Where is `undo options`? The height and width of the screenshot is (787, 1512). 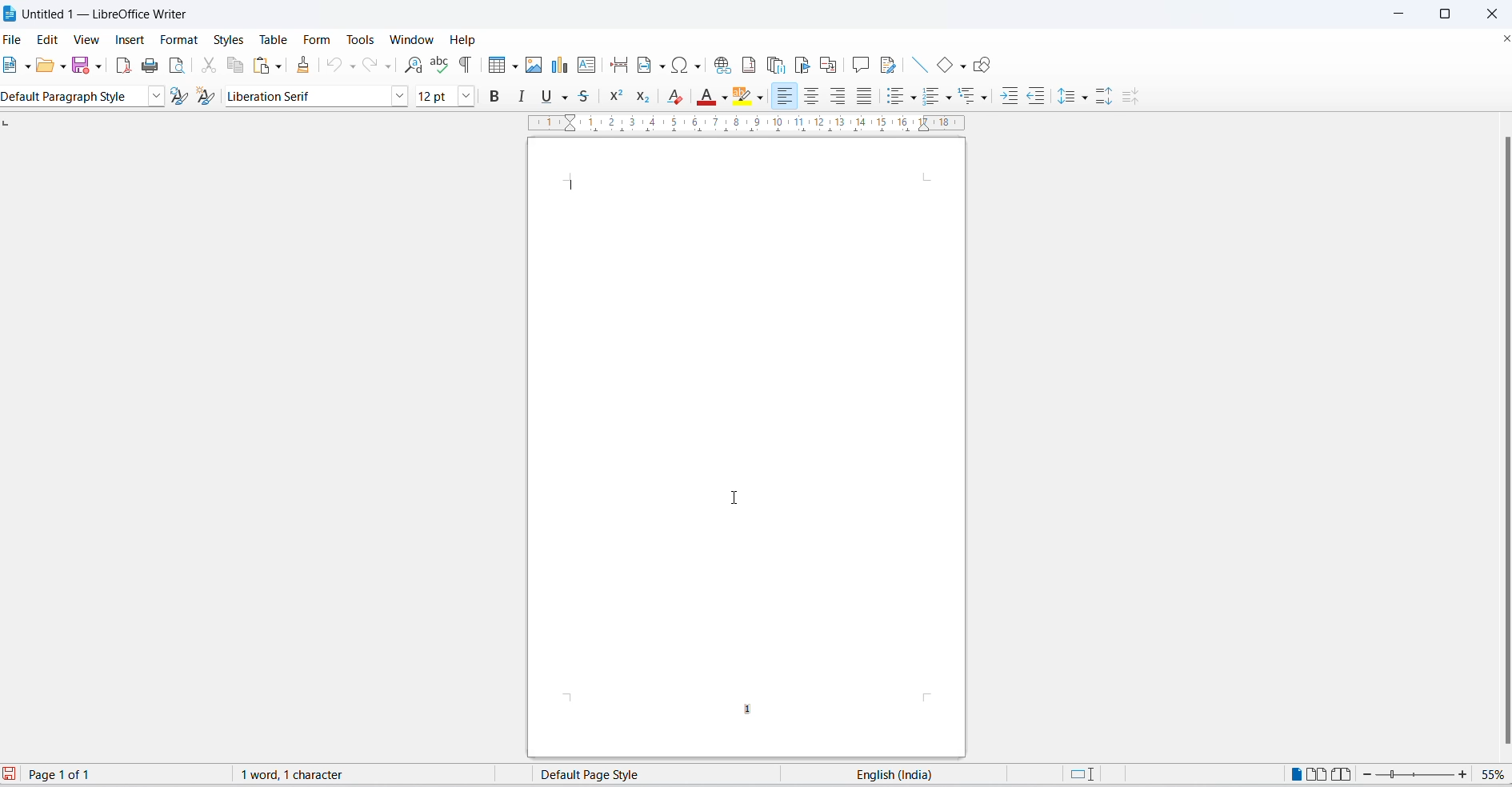
undo options is located at coordinates (353, 67).